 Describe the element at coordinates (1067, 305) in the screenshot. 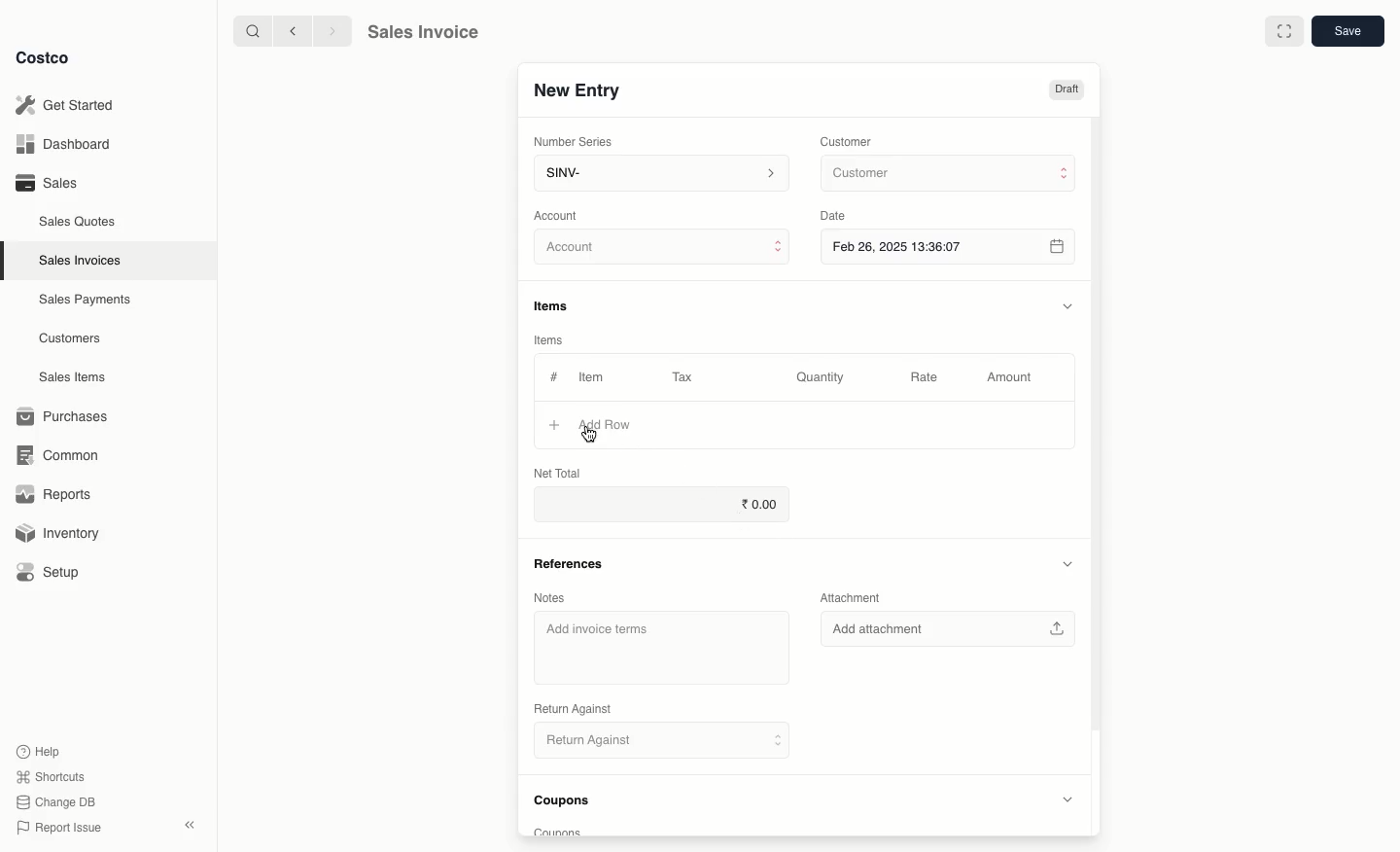

I see `Hide` at that location.